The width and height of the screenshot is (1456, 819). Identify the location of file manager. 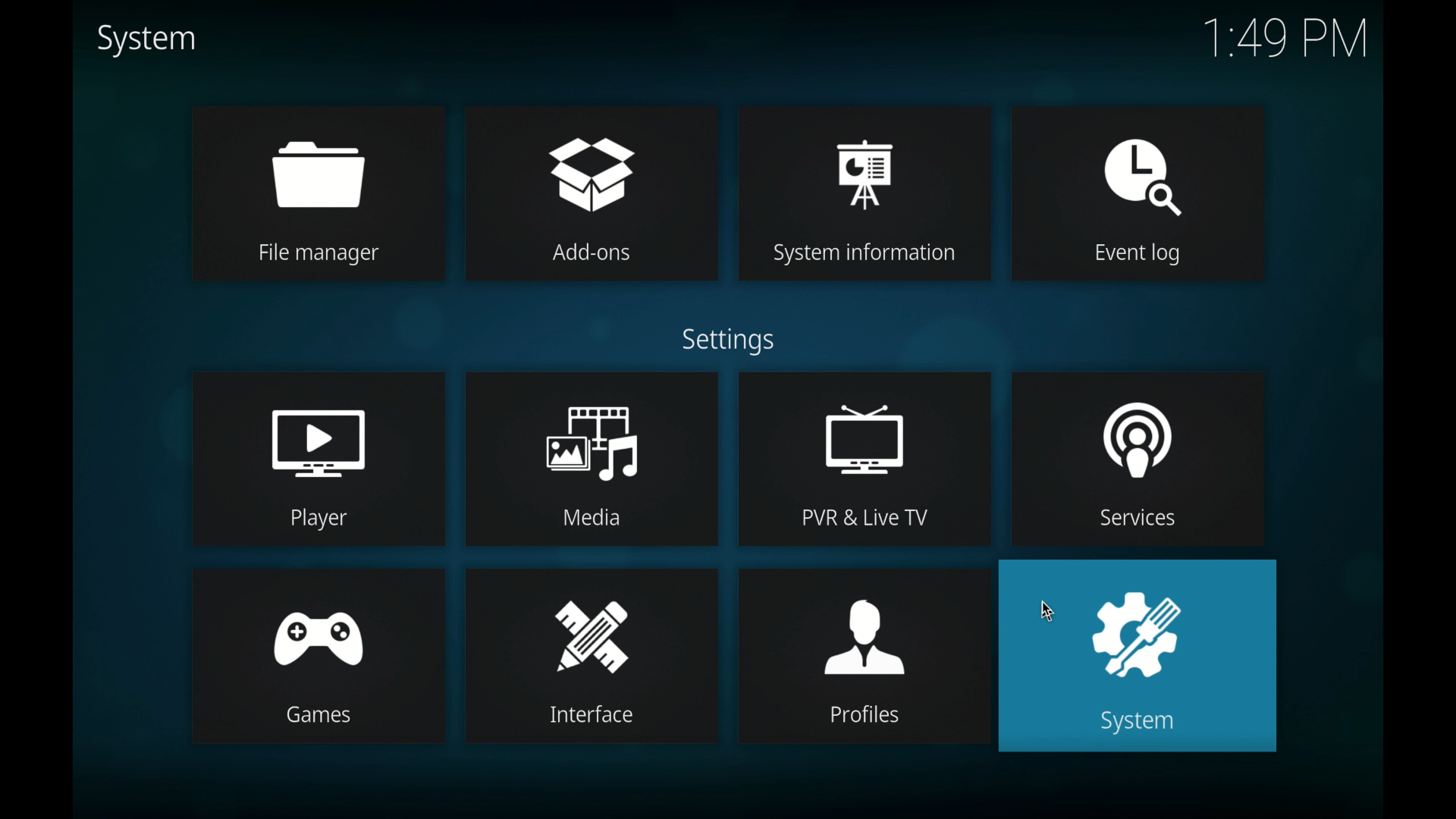
(315, 192).